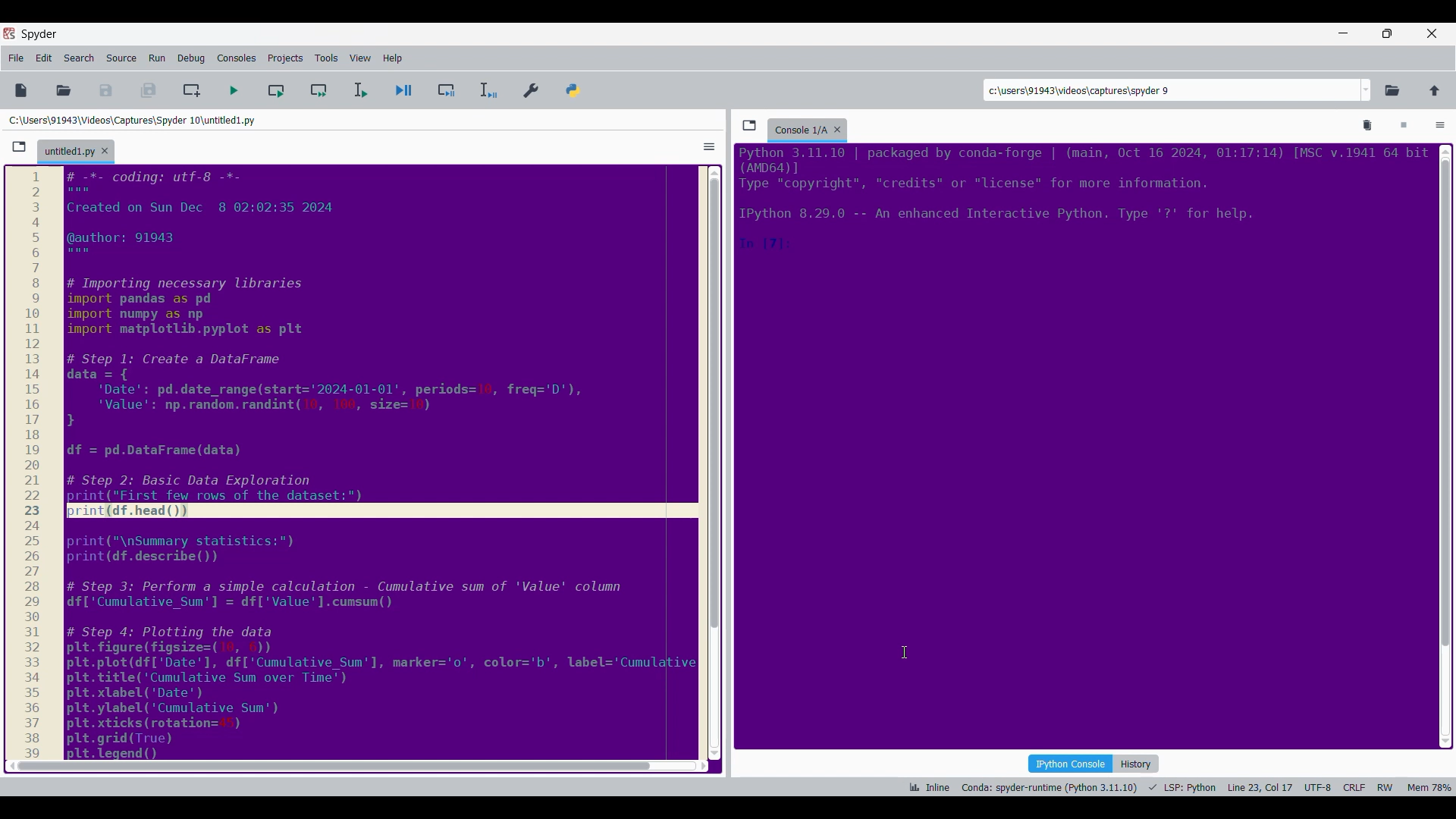 This screenshot has height=819, width=1456. What do you see at coordinates (1404, 126) in the screenshot?
I see `Interrupt kernel` at bounding box center [1404, 126].